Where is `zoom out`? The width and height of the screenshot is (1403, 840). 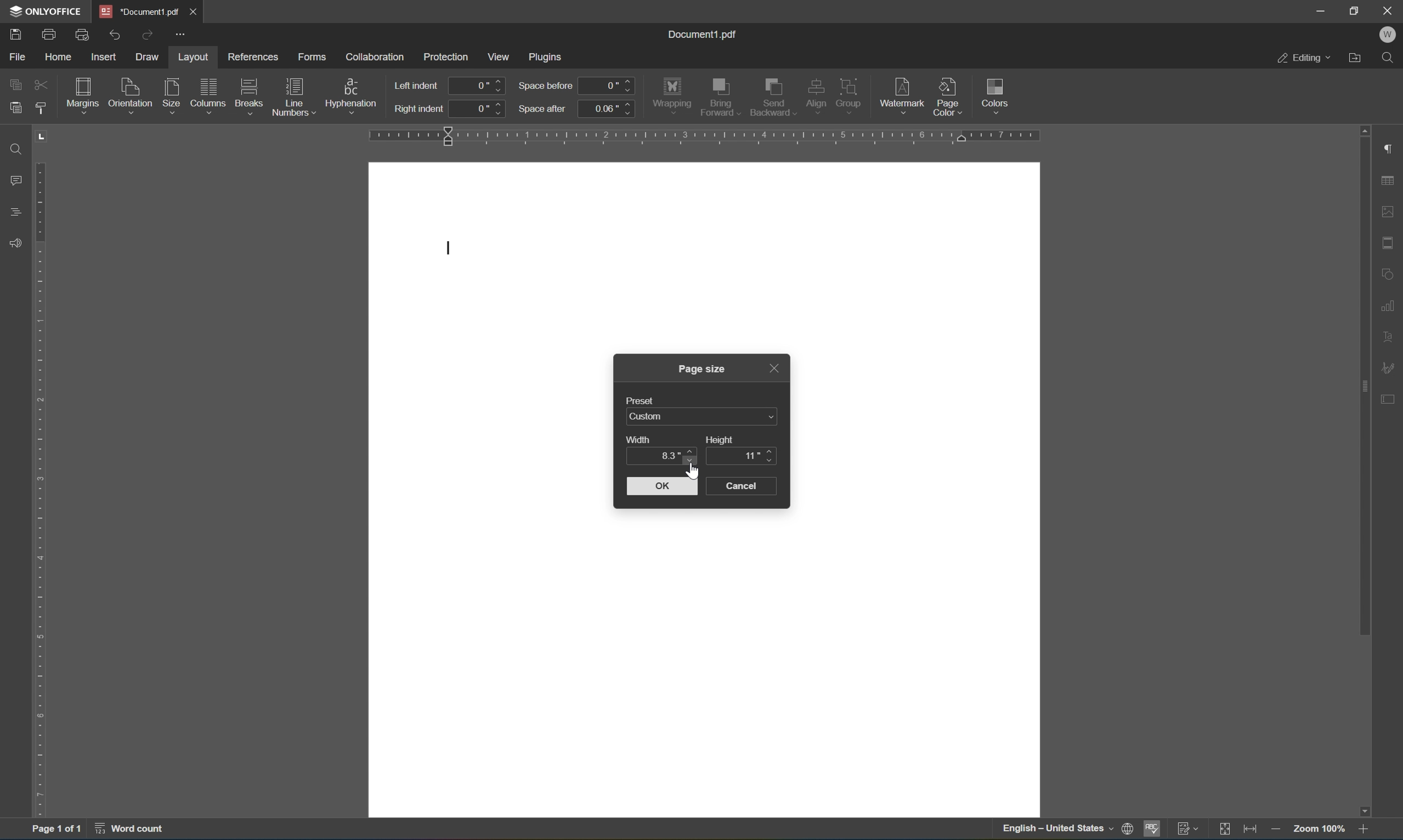 zoom out is located at coordinates (1275, 830).